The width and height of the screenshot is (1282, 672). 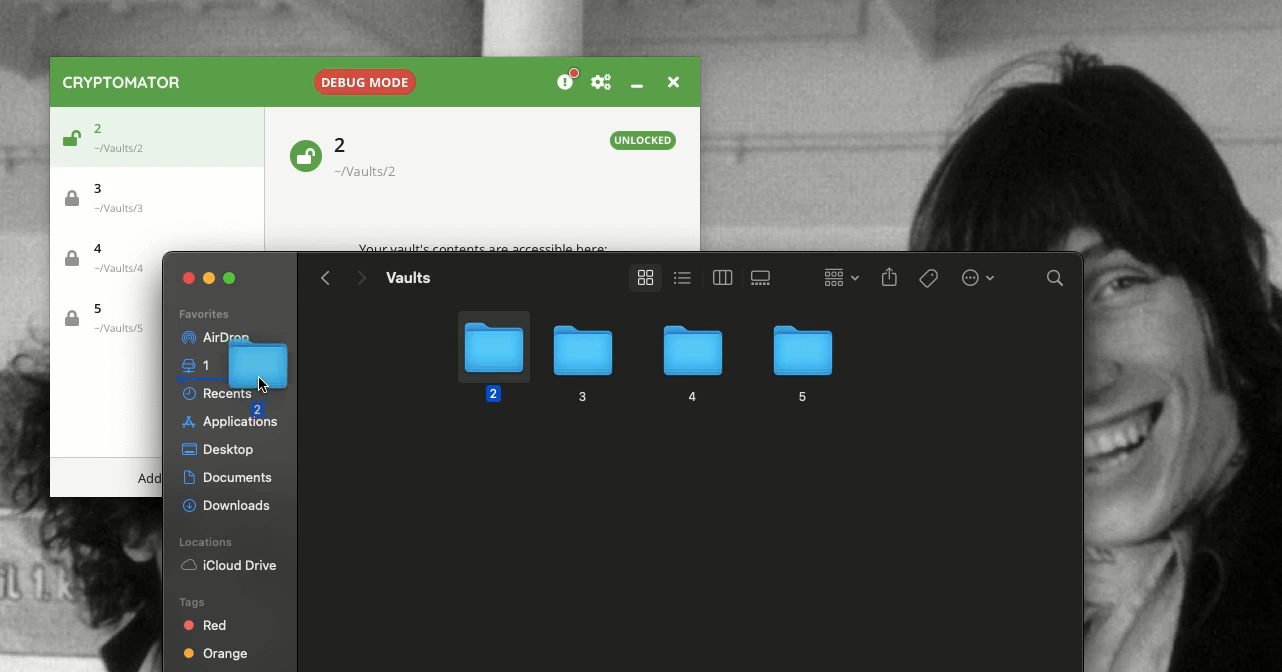 What do you see at coordinates (489, 359) in the screenshot?
I see `` at bounding box center [489, 359].